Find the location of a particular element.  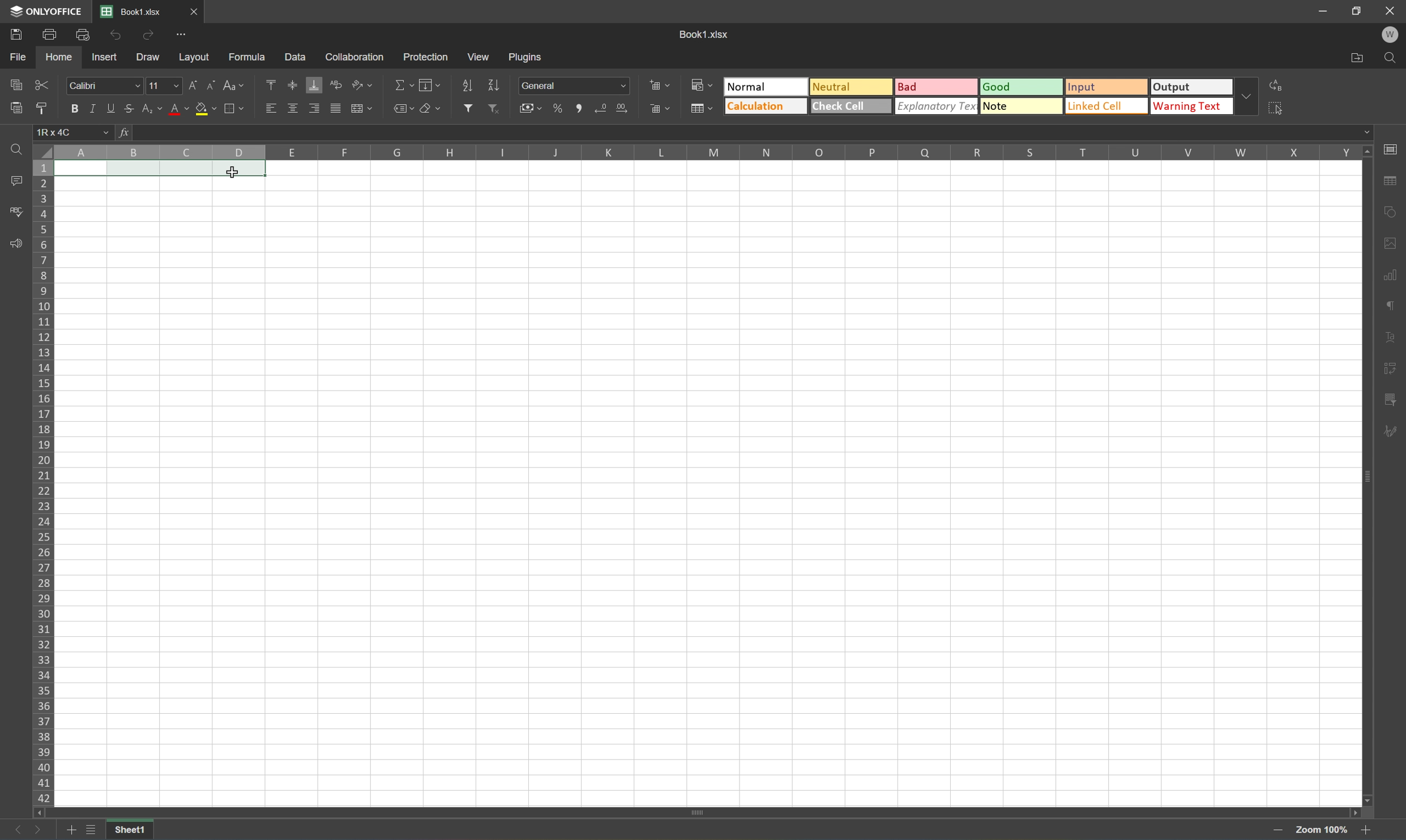

Decrement font size is located at coordinates (212, 87).